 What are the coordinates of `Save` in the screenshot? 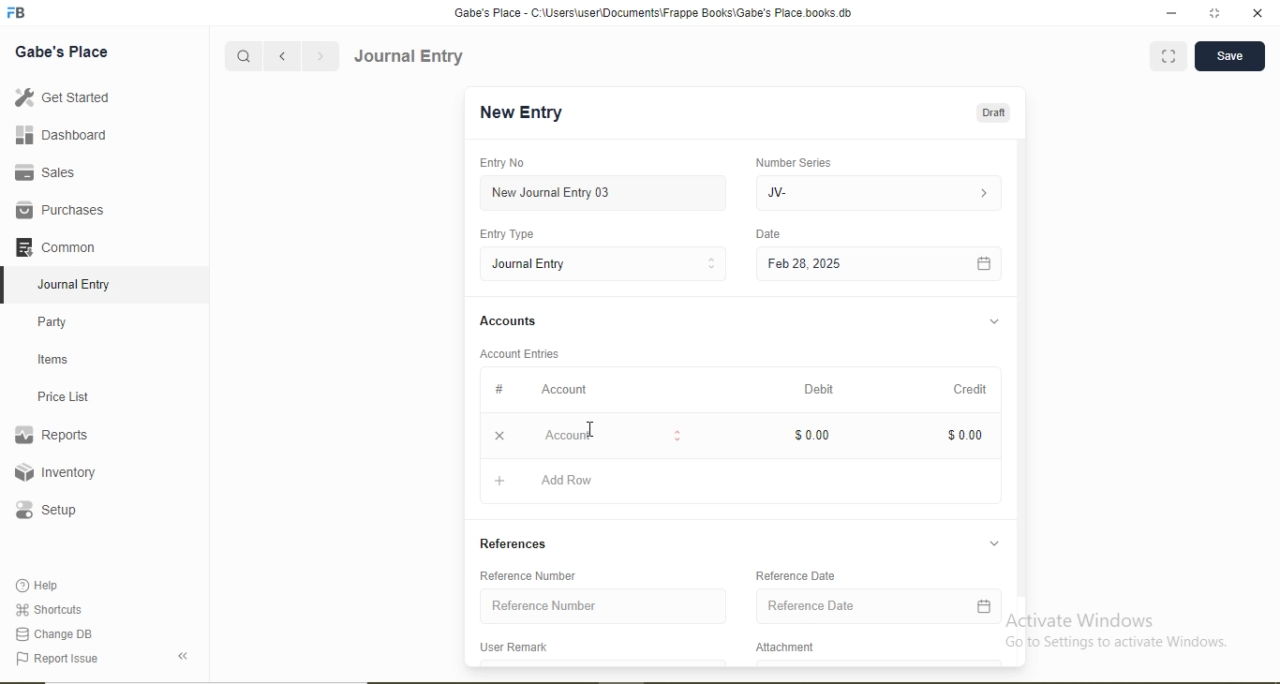 It's located at (1229, 54).